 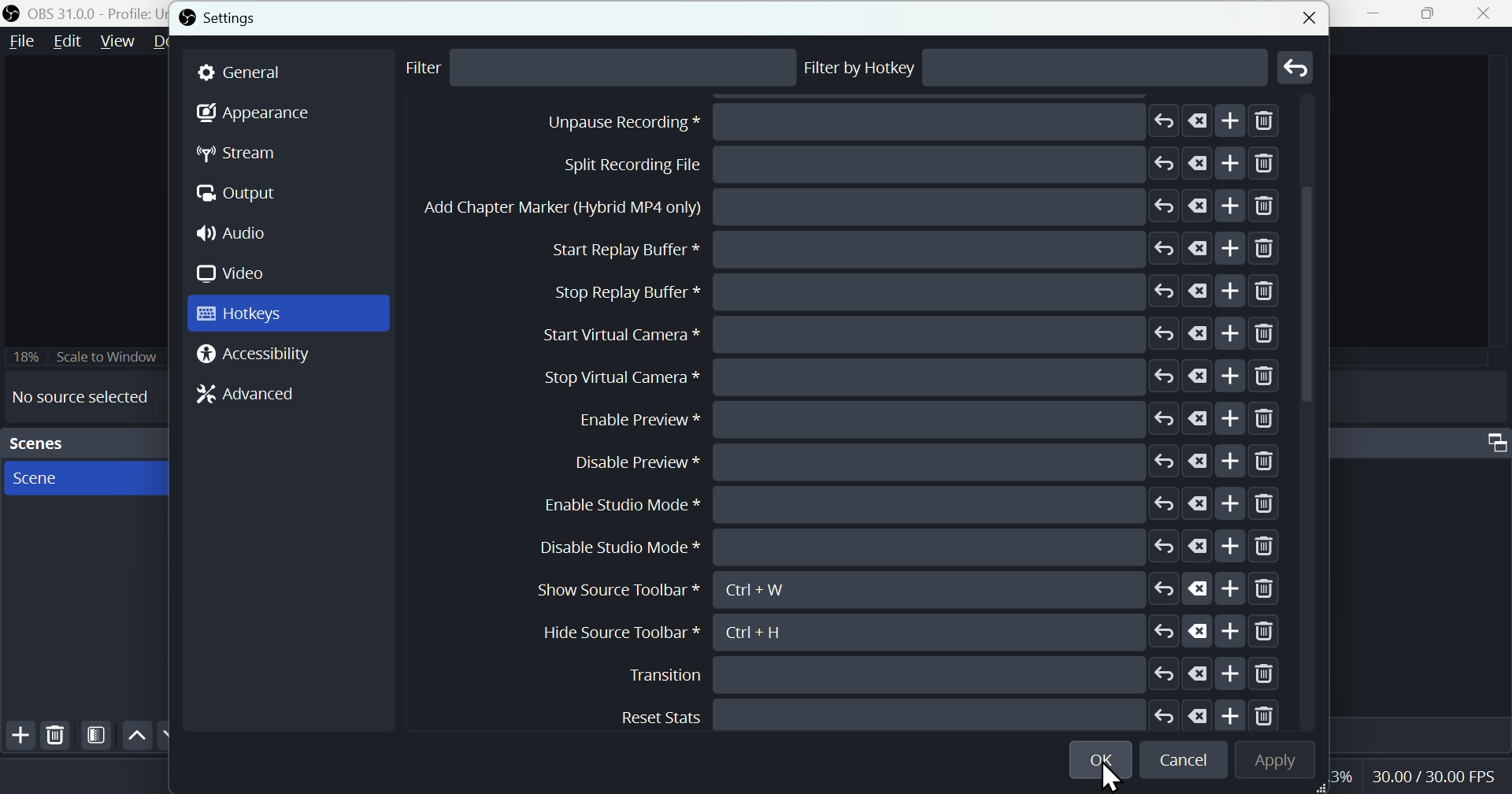 I want to click on Filter by hotkey, so click(x=861, y=68).